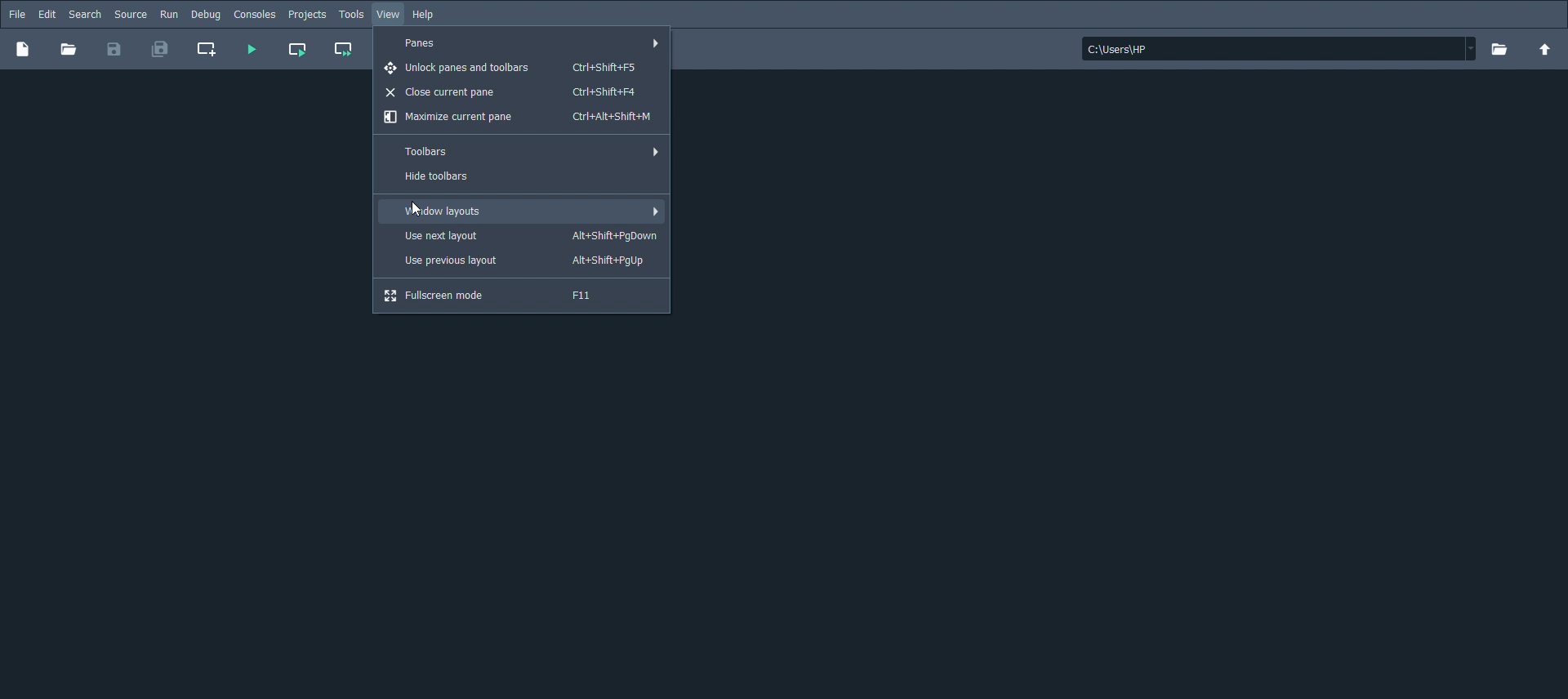  Describe the element at coordinates (1546, 48) in the screenshot. I see `Change to parent directory` at that location.